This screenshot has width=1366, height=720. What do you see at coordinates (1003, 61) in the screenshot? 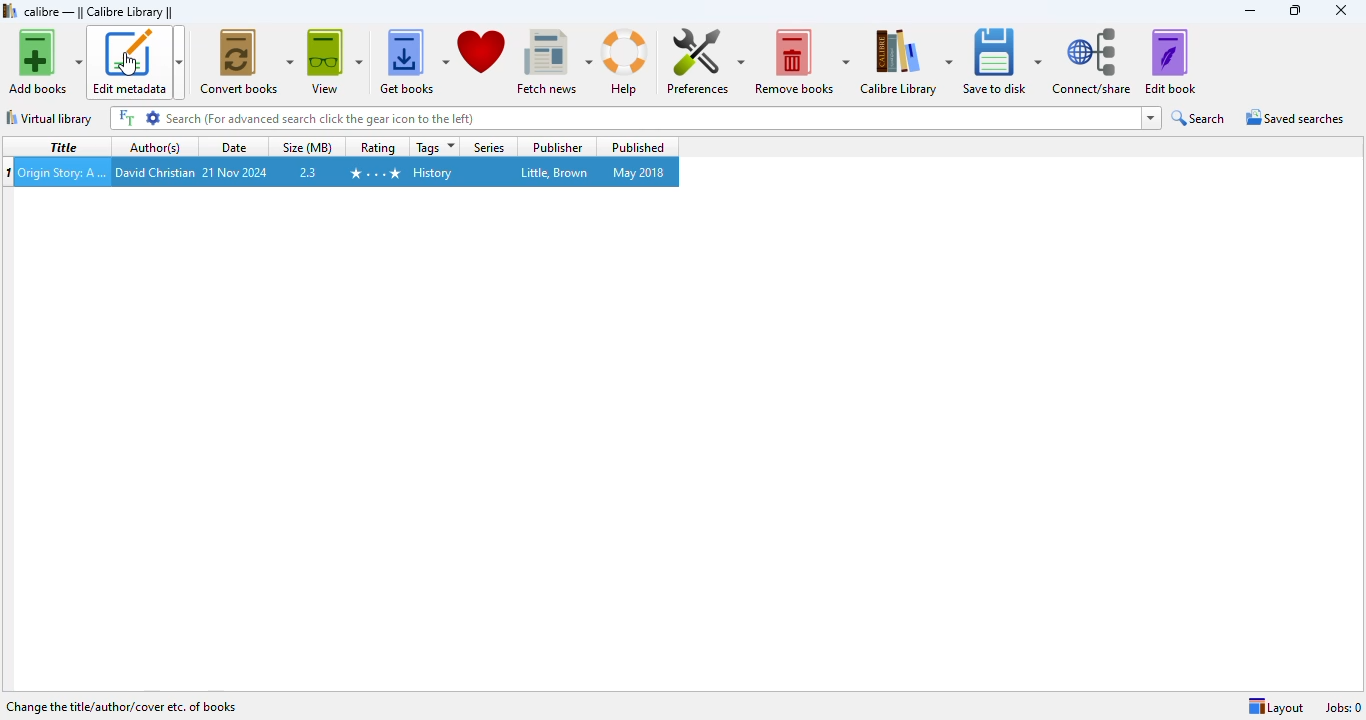
I see `save to disk` at bounding box center [1003, 61].